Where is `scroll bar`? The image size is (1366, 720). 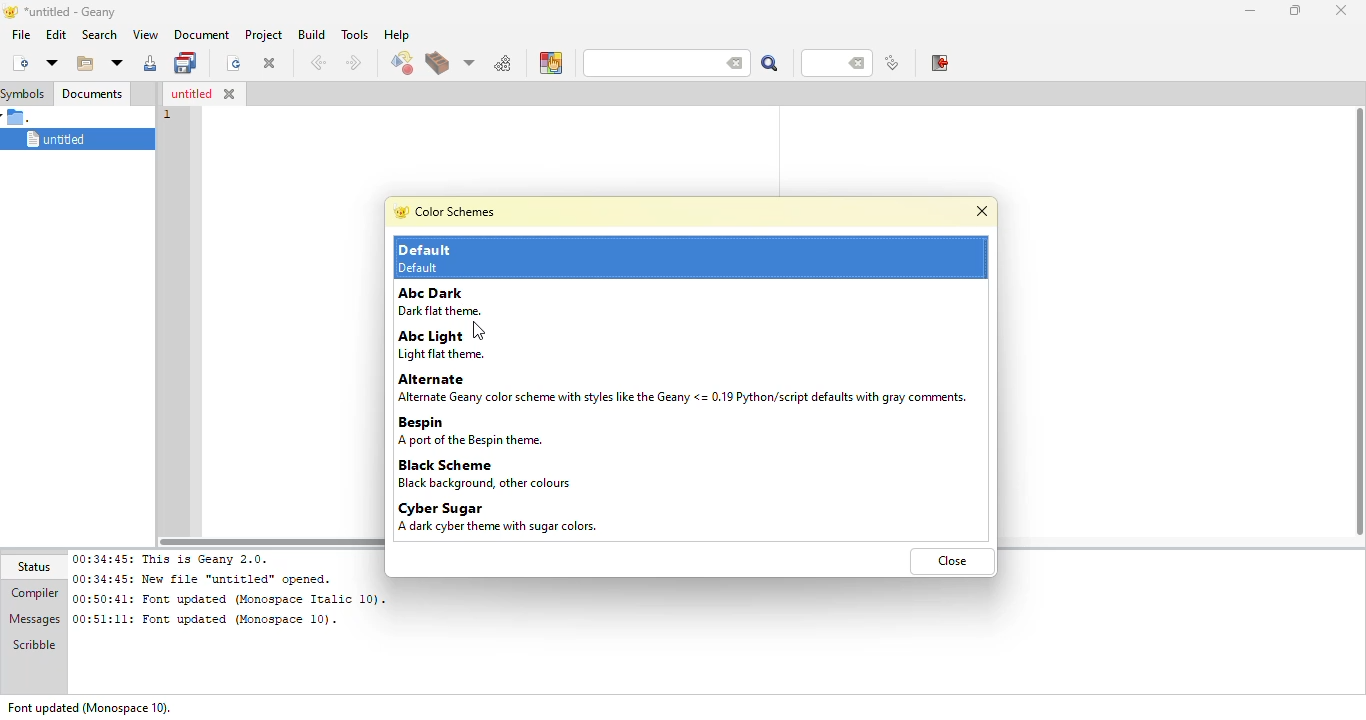 scroll bar is located at coordinates (267, 535).